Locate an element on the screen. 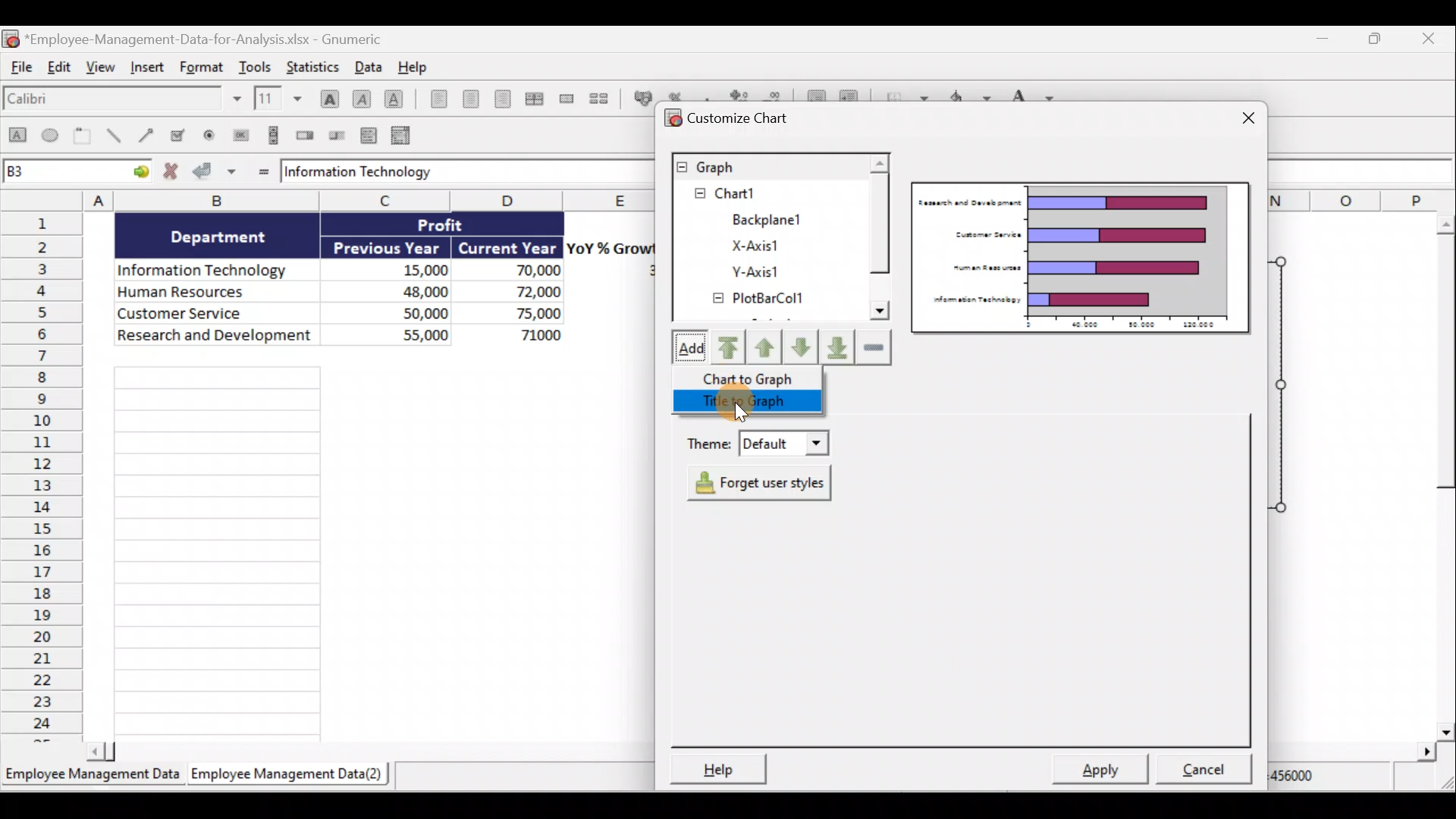  Information Technology is located at coordinates (451, 173).